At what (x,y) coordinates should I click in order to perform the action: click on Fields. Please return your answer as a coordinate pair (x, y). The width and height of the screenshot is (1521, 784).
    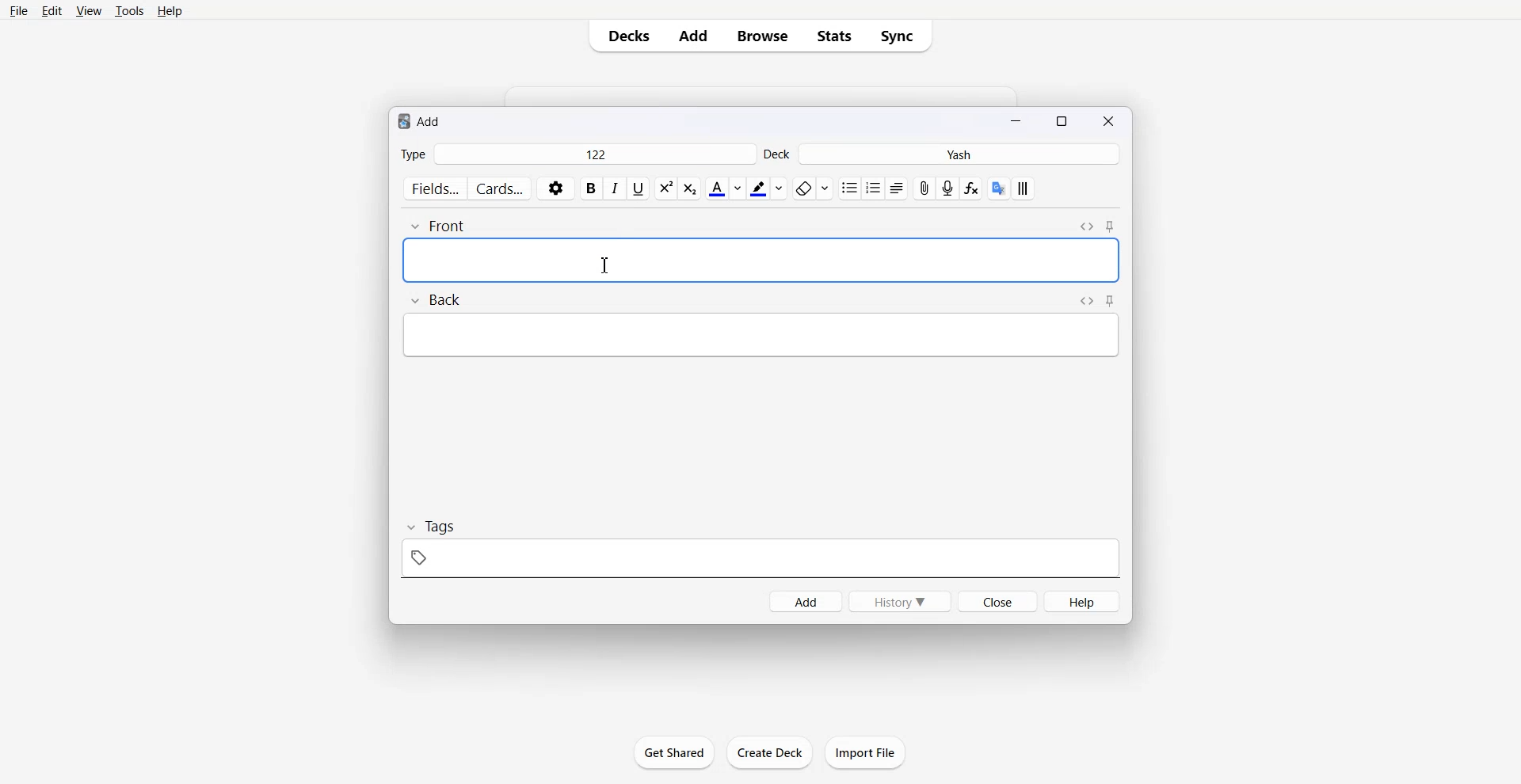
    Looking at the image, I should click on (433, 188).